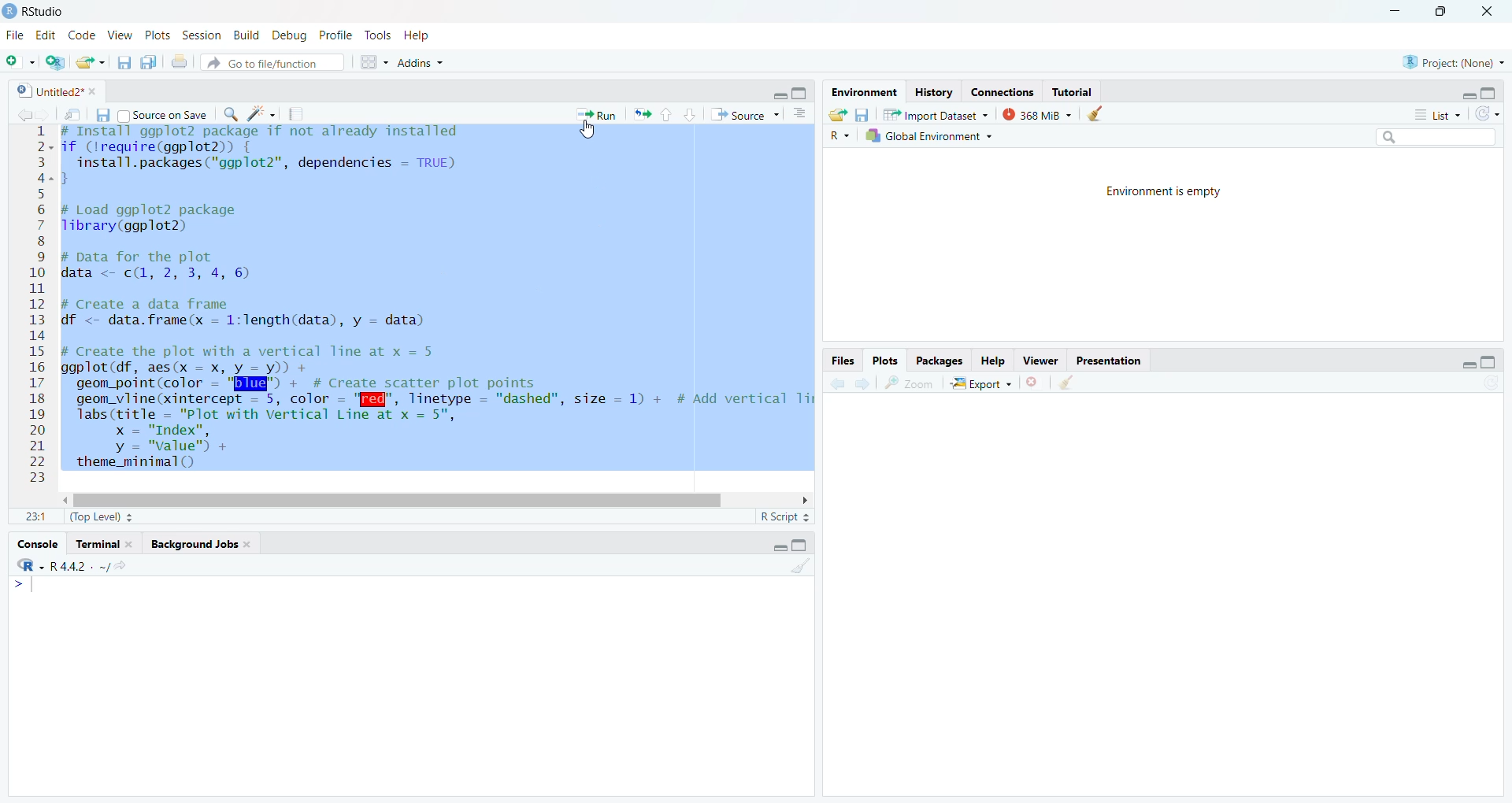  I want to click on clear, so click(1067, 383).